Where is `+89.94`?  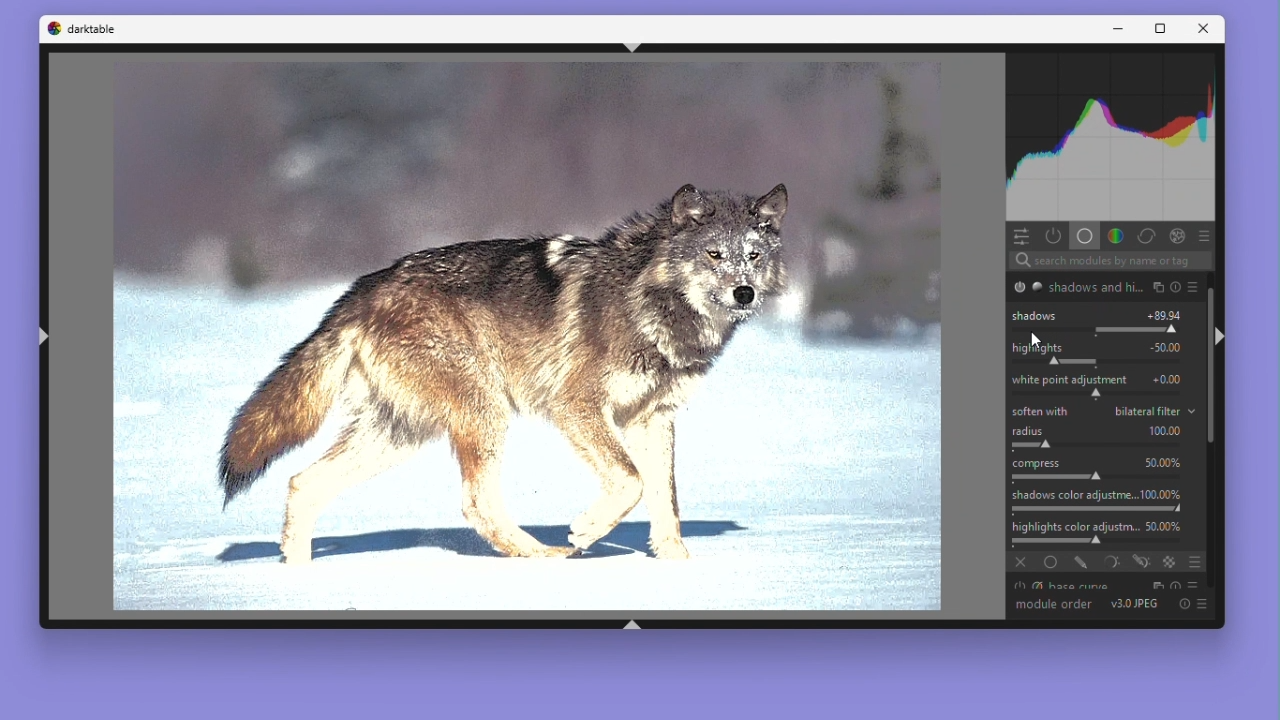 +89.94 is located at coordinates (1171, 314).